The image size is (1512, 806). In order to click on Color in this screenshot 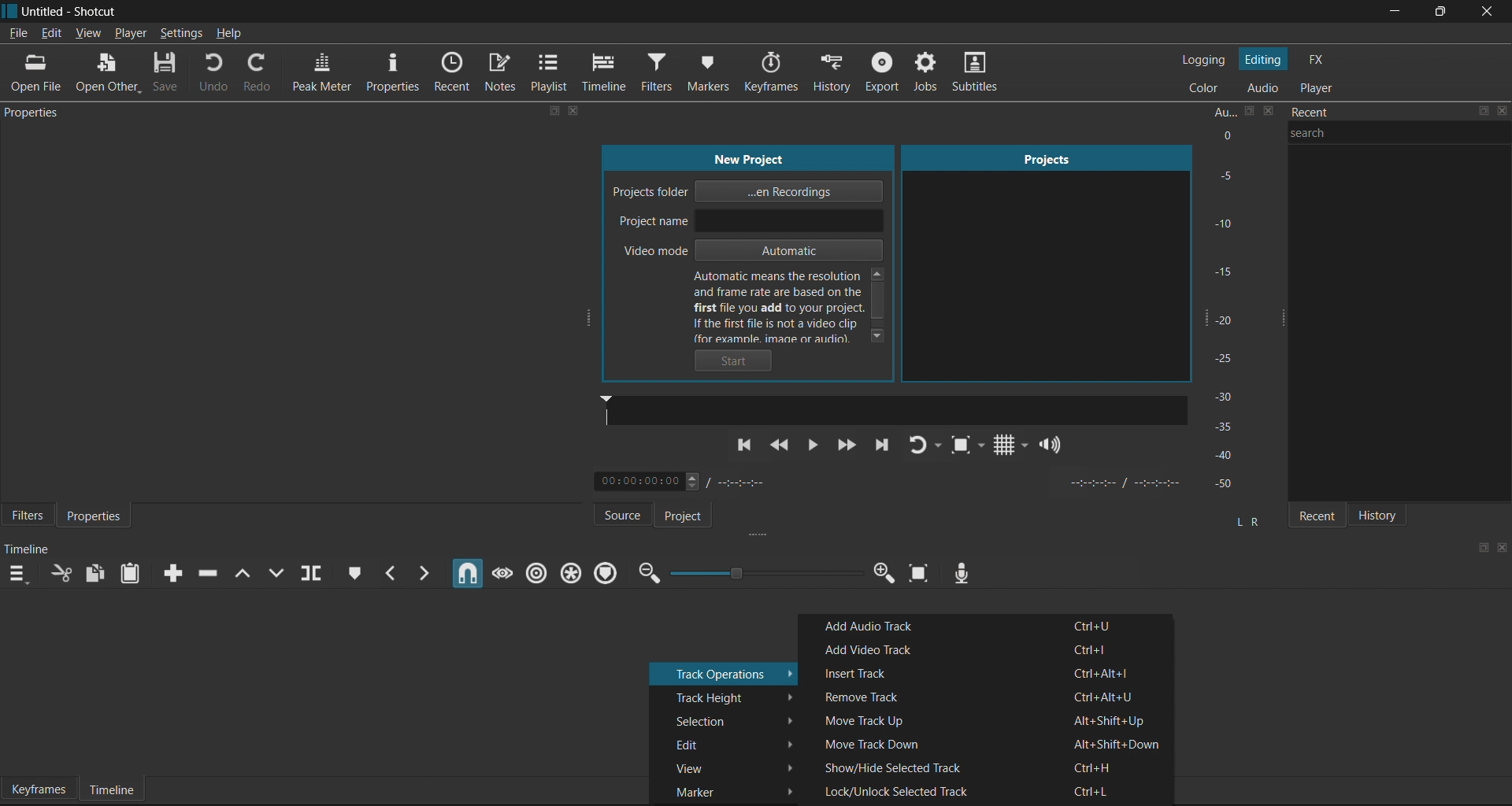, I will do `click(1207, 87)`.